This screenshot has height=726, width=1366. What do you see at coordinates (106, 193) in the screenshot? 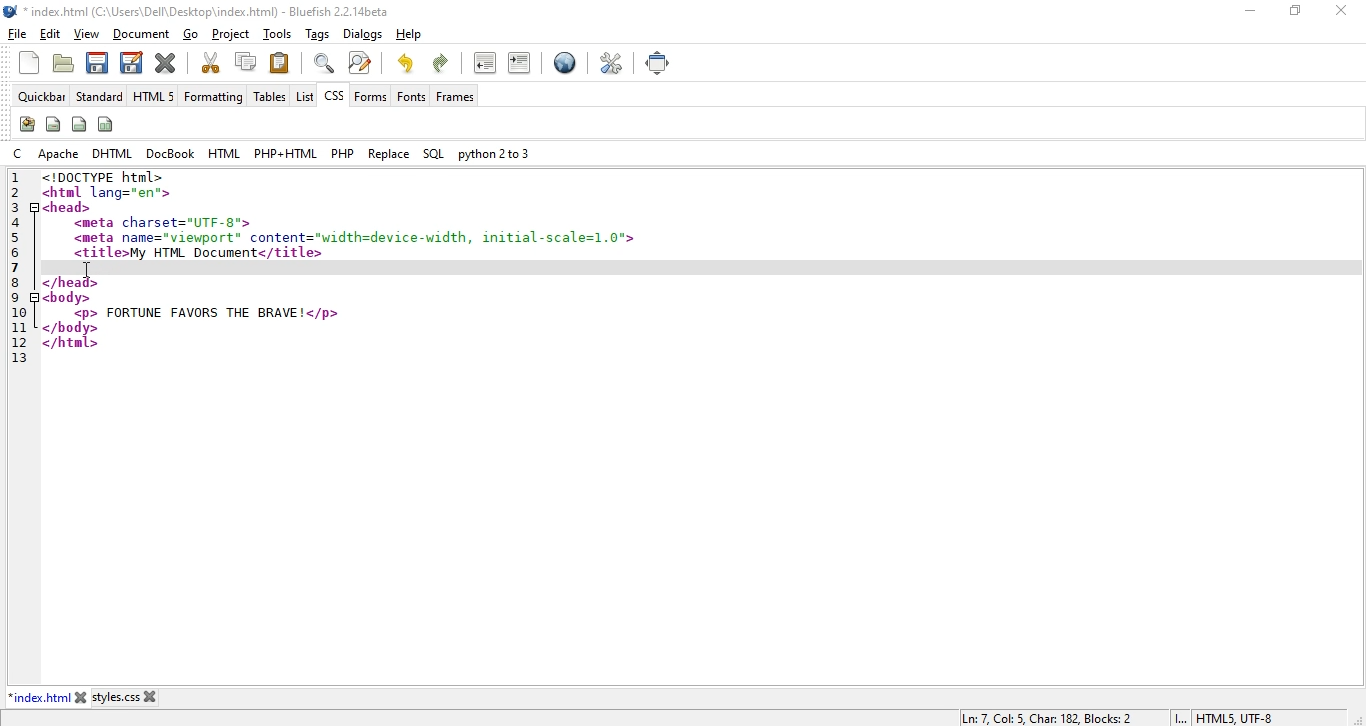
I see `<html lang="en">` at bounding box center [106, 193].